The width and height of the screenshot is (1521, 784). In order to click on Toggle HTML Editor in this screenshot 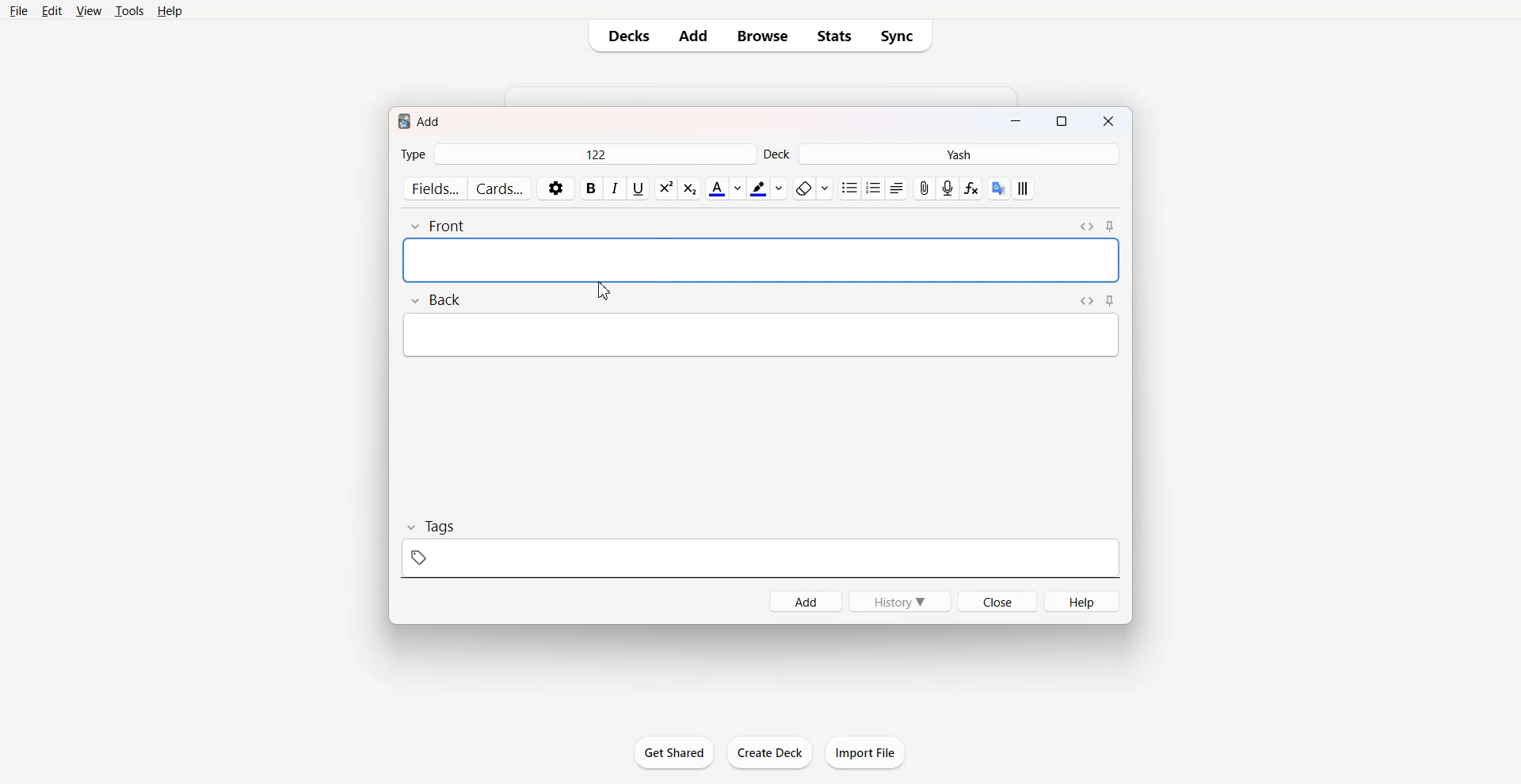, I will do `click(1086, 226)`.